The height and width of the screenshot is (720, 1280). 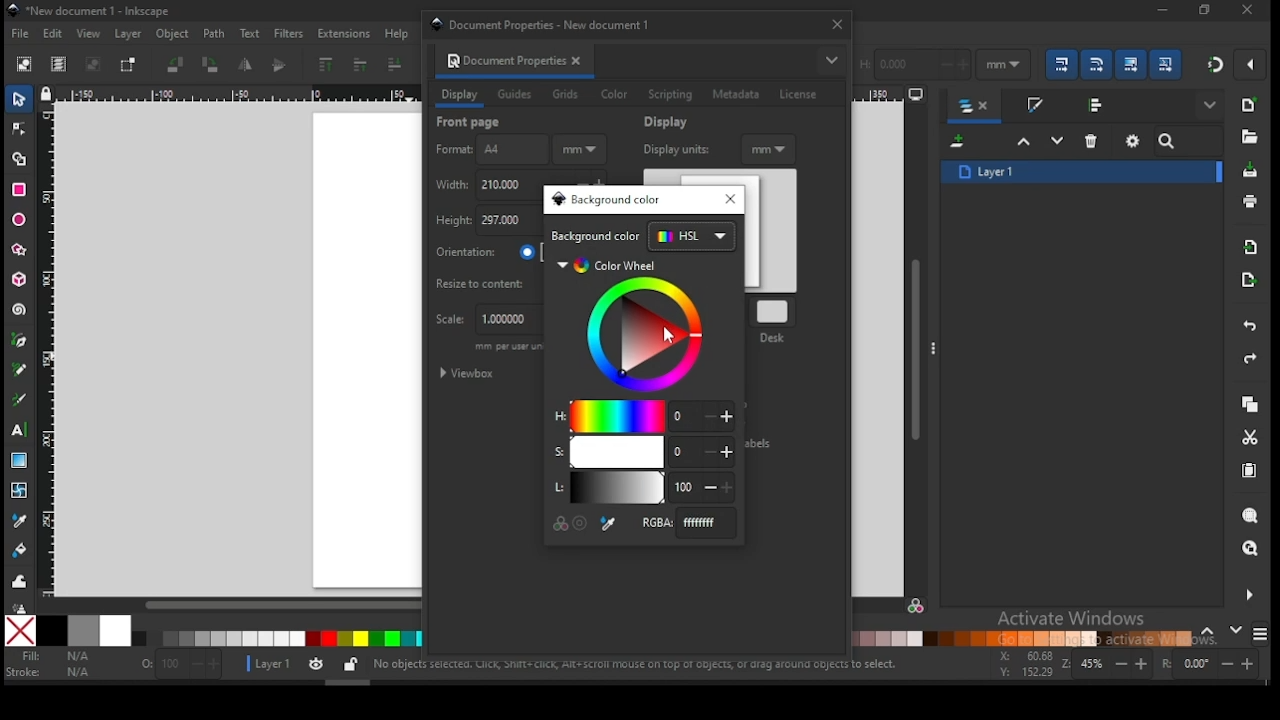 What do you see at coordinates (917, 348) in the screenshot?
I see `scroll bar` at bounding box center [917, 348].